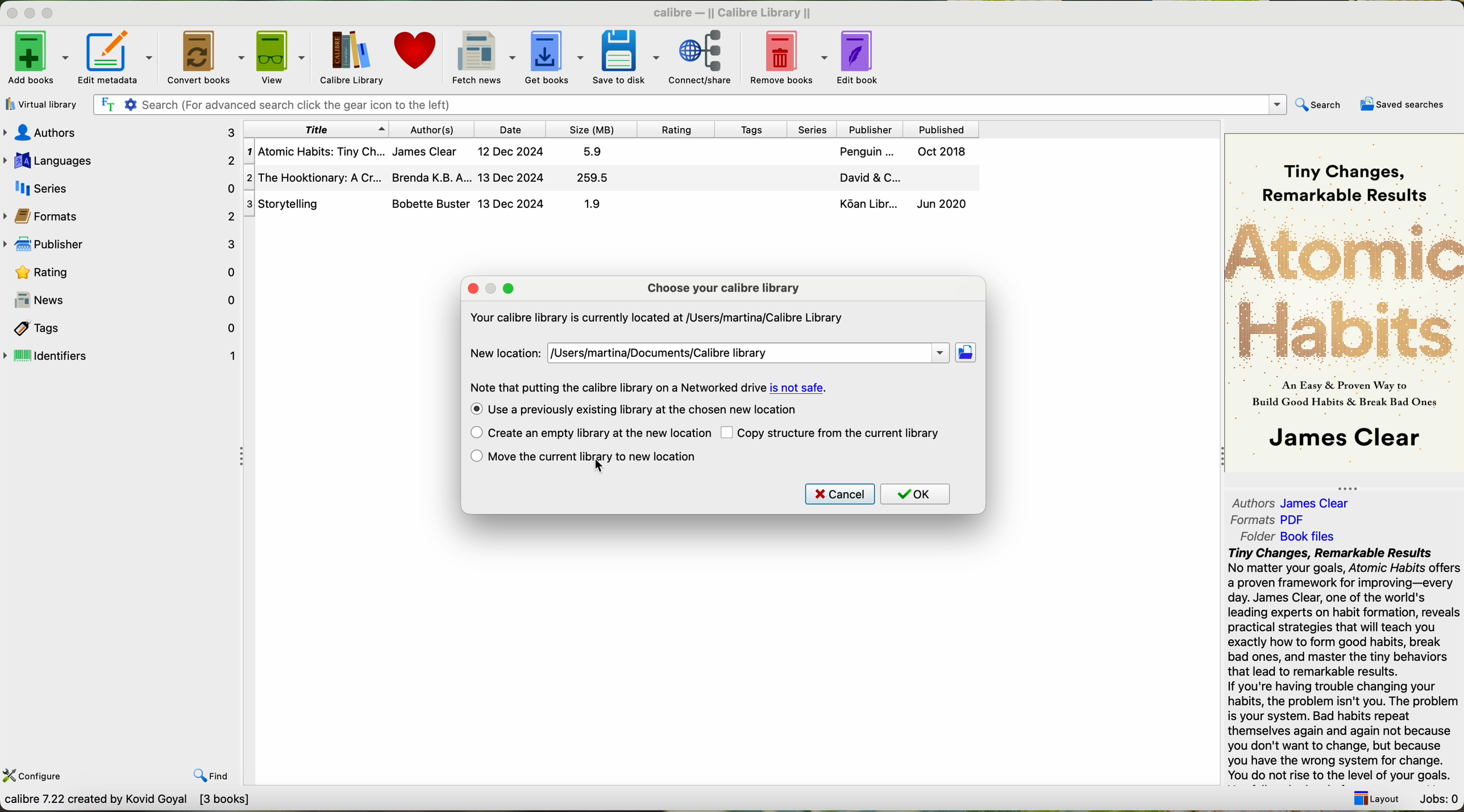  I want to click on close, so click(472, 289).